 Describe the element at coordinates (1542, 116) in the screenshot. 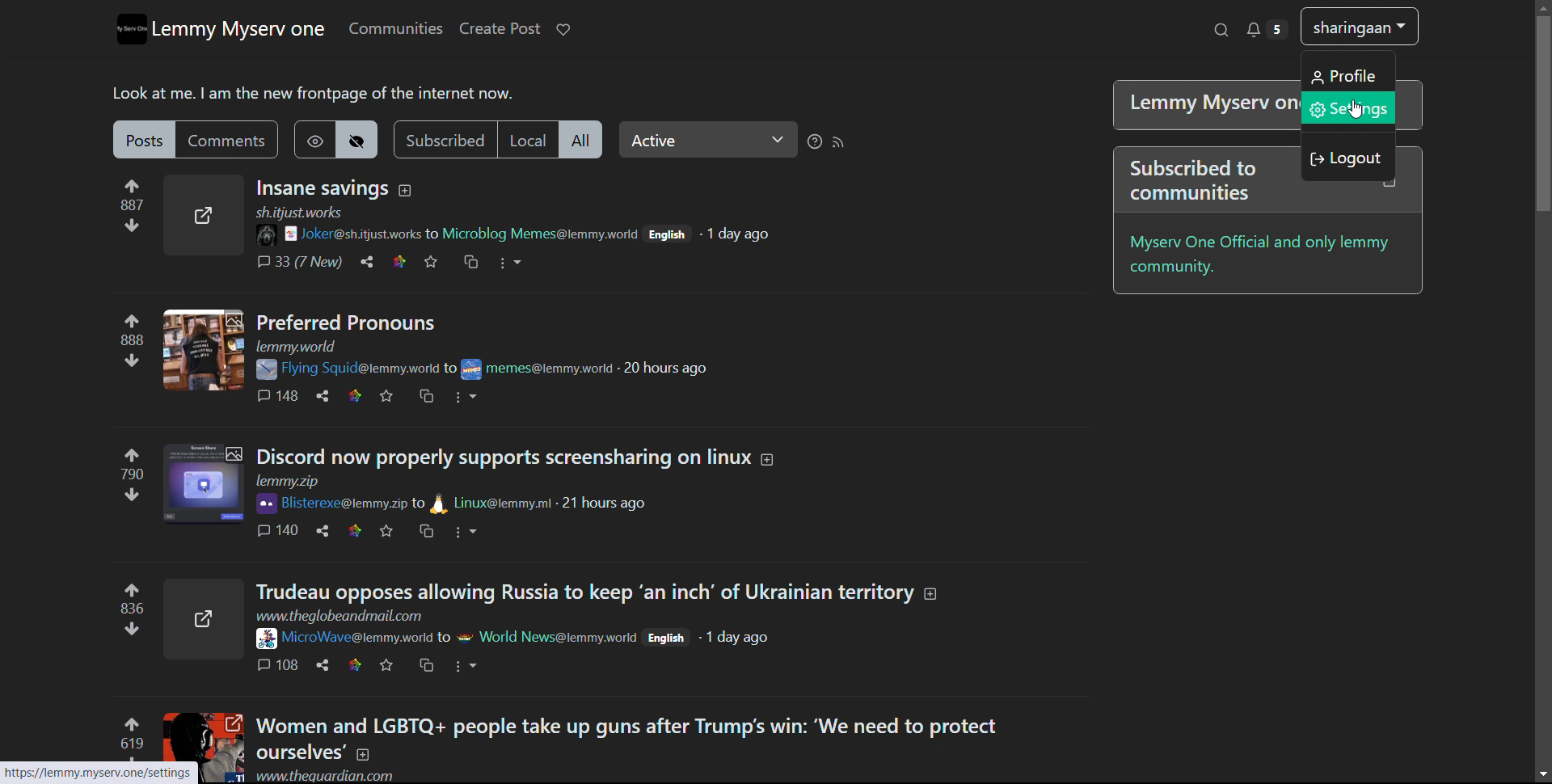

I see `Vertical scroll bar` at that location.